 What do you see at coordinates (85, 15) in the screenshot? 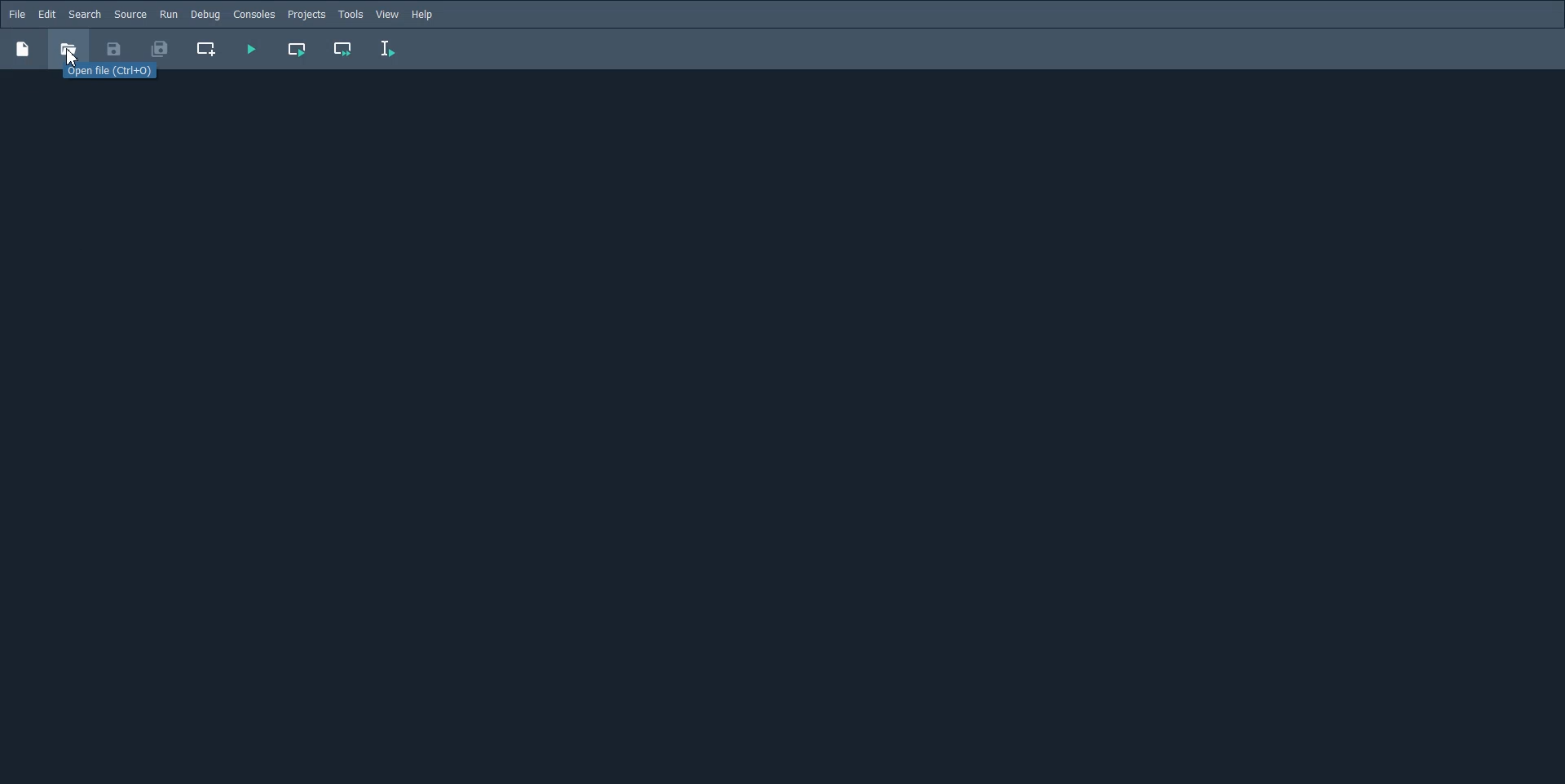
I see `Search` at bounding box center [85, 15].